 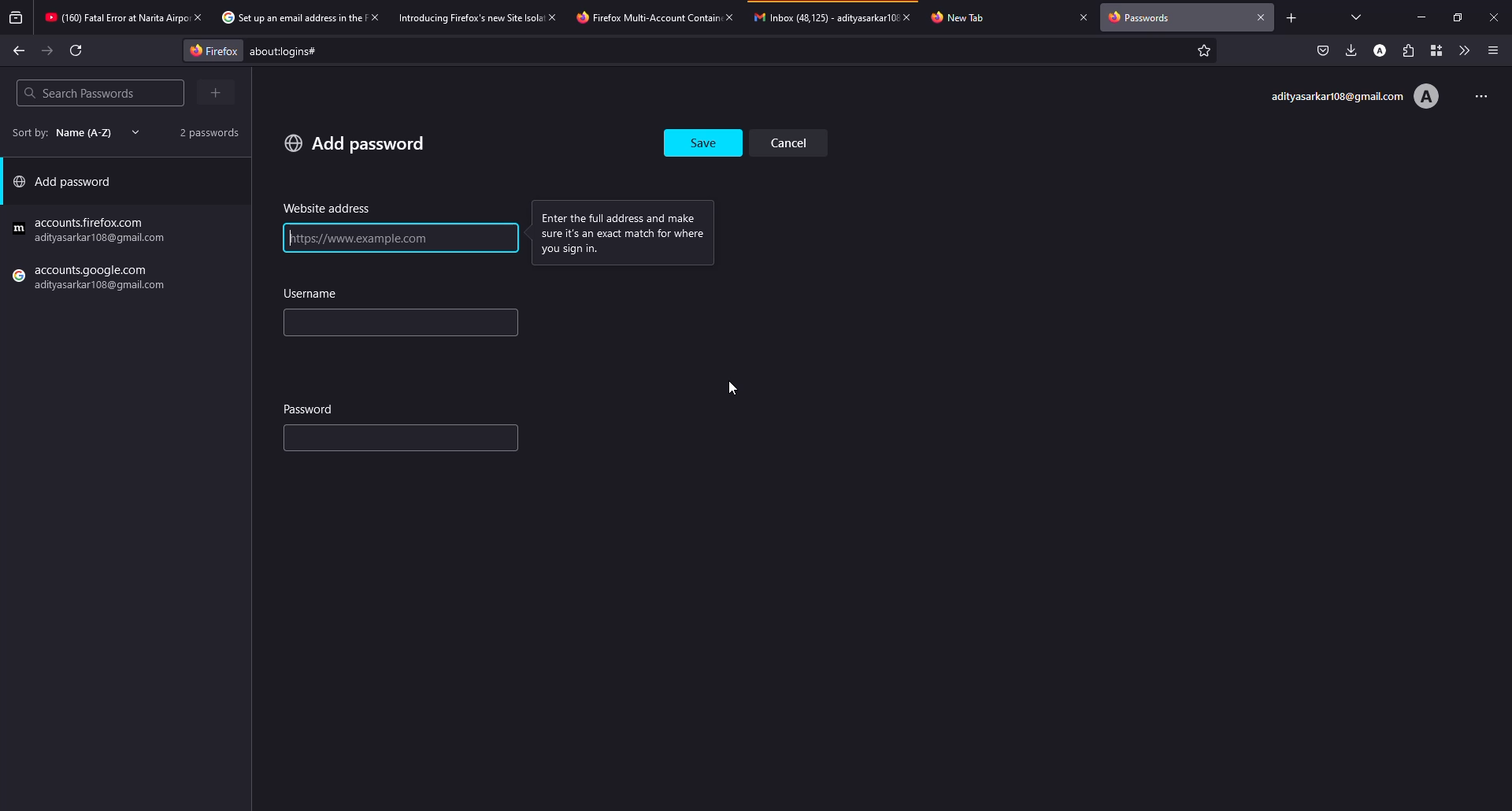 I want to click on close, so click(x=373, y=17).